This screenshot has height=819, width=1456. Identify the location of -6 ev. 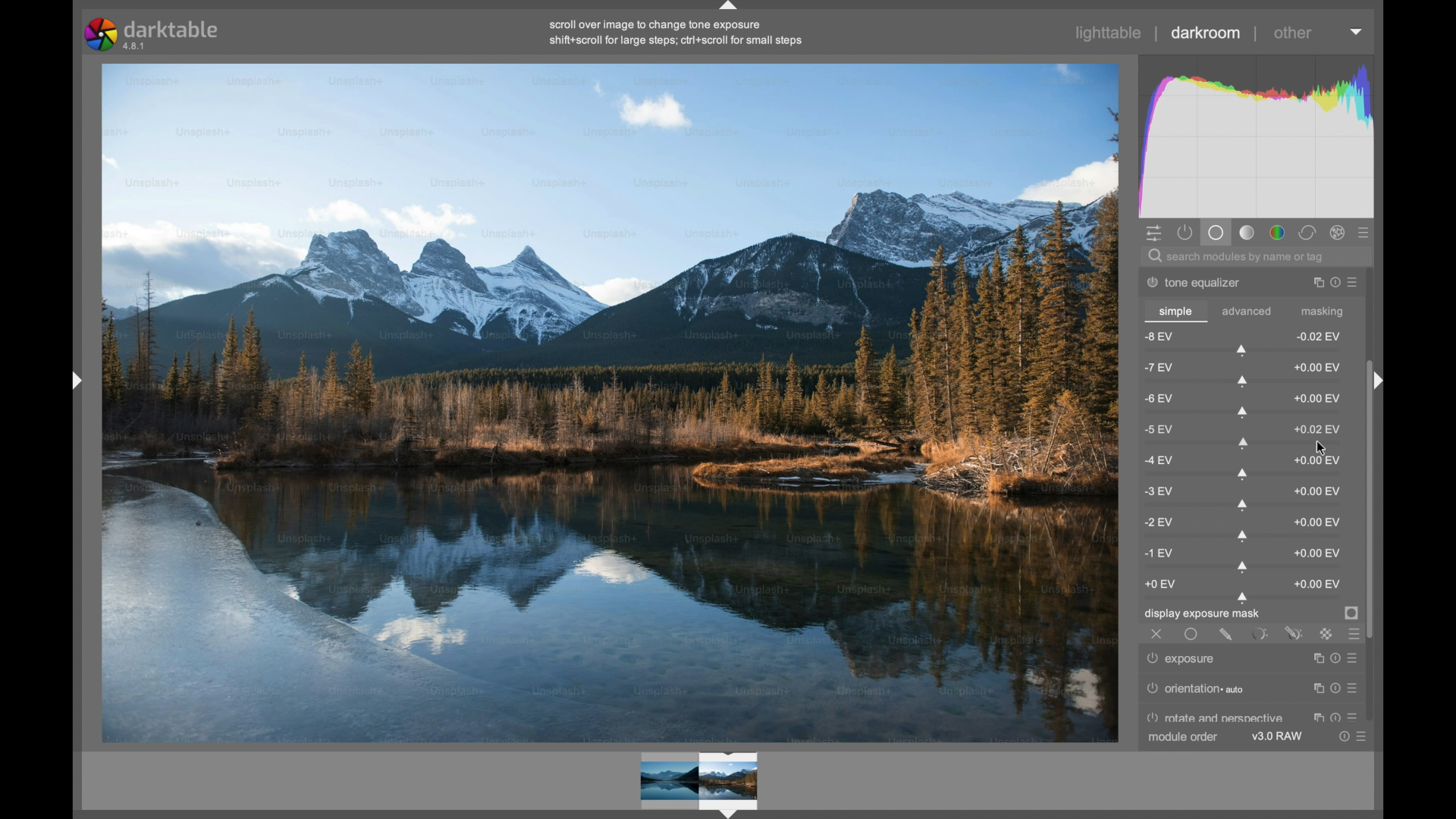
(1160, 399).